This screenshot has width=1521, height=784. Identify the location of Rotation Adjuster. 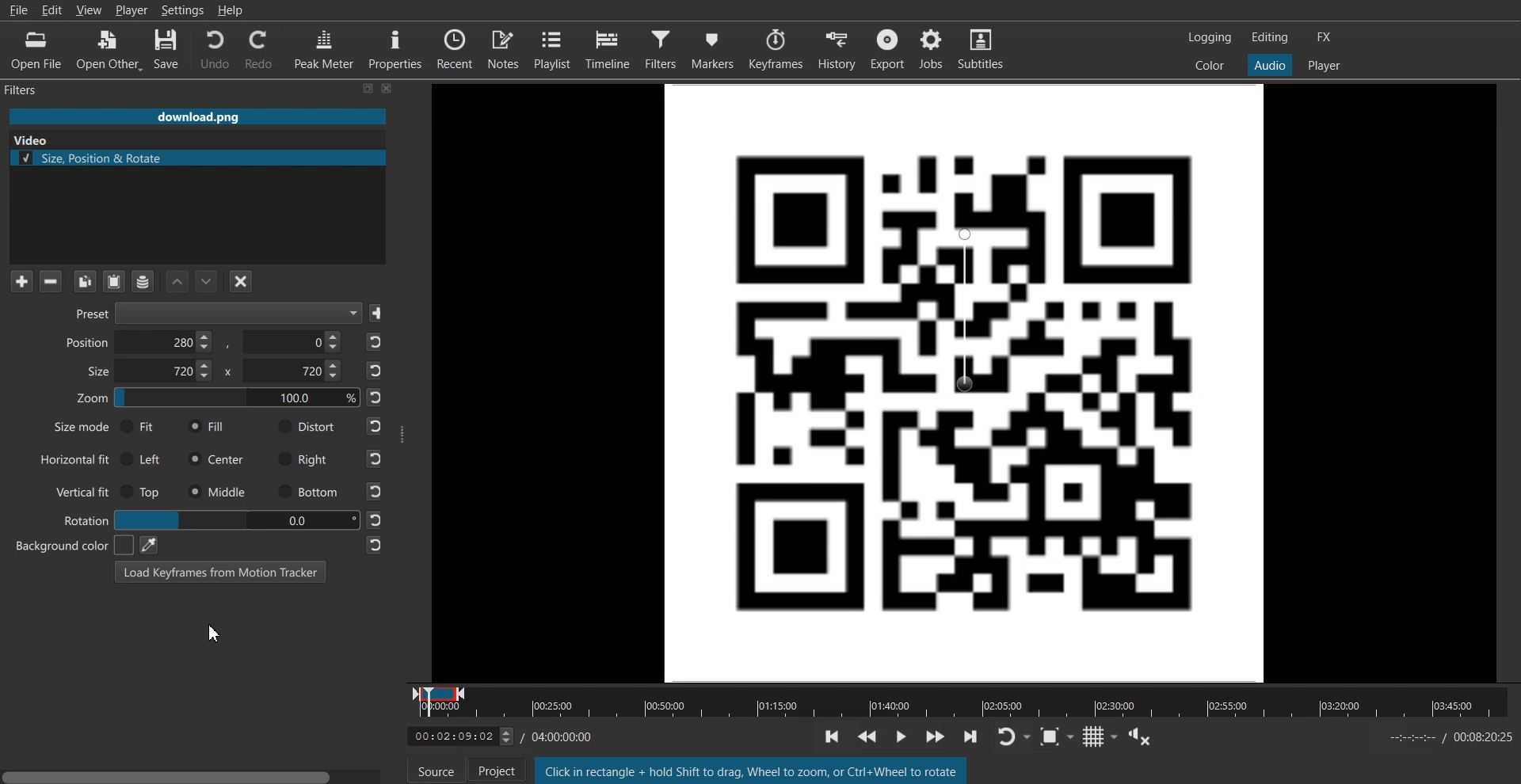
(84, 519).